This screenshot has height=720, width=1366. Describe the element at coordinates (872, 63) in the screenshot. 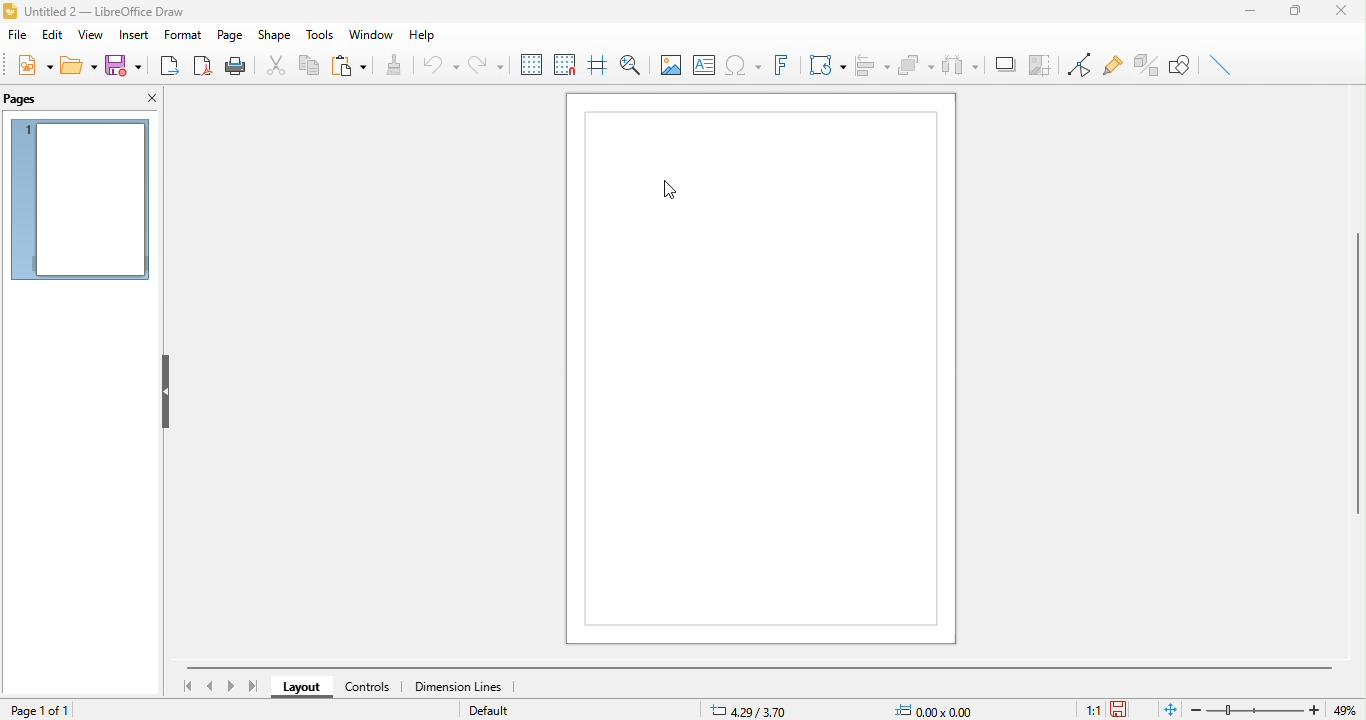

I see `align object` at that location.